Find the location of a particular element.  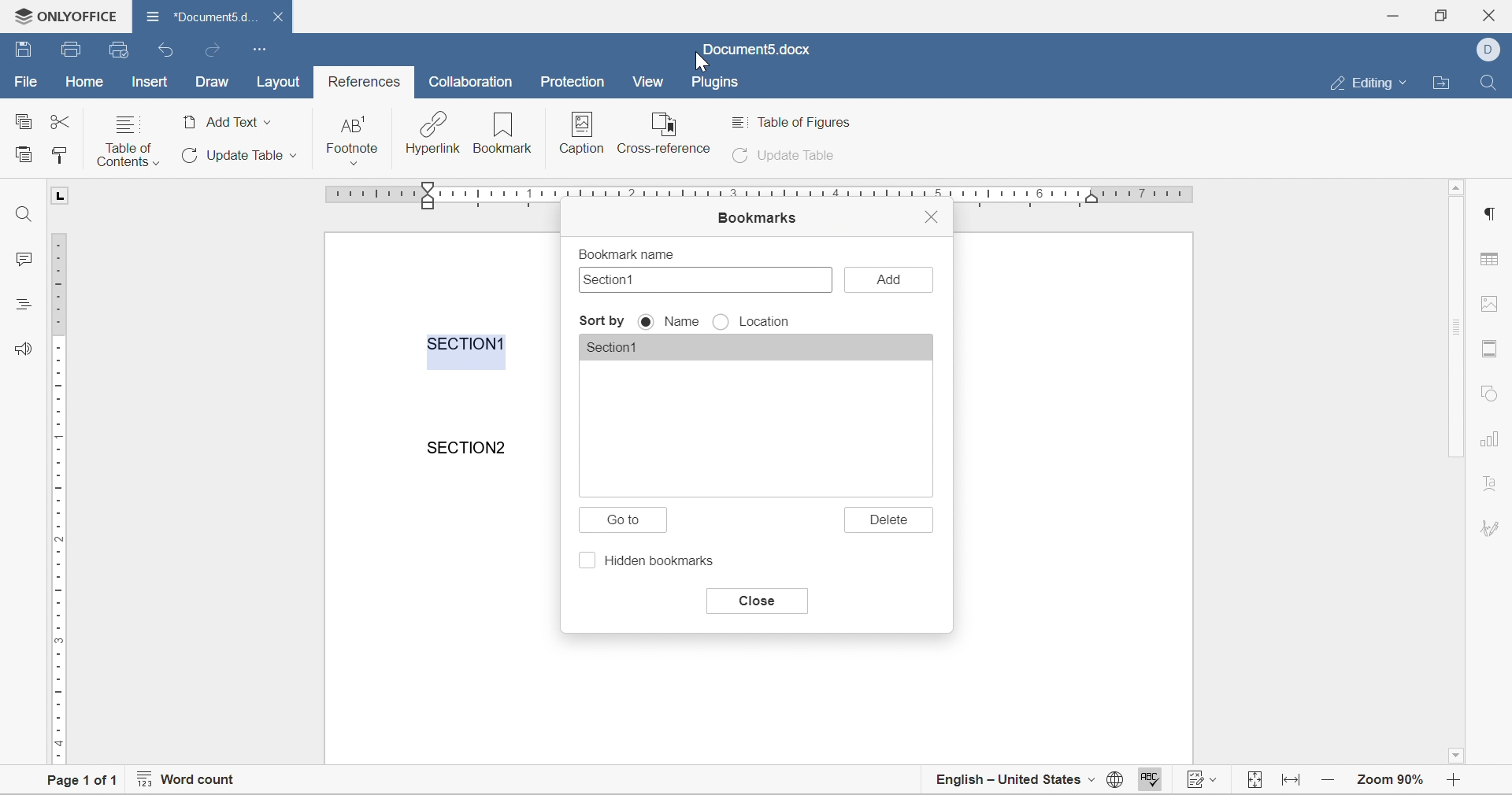

word count is located at coordinates (185, 782).